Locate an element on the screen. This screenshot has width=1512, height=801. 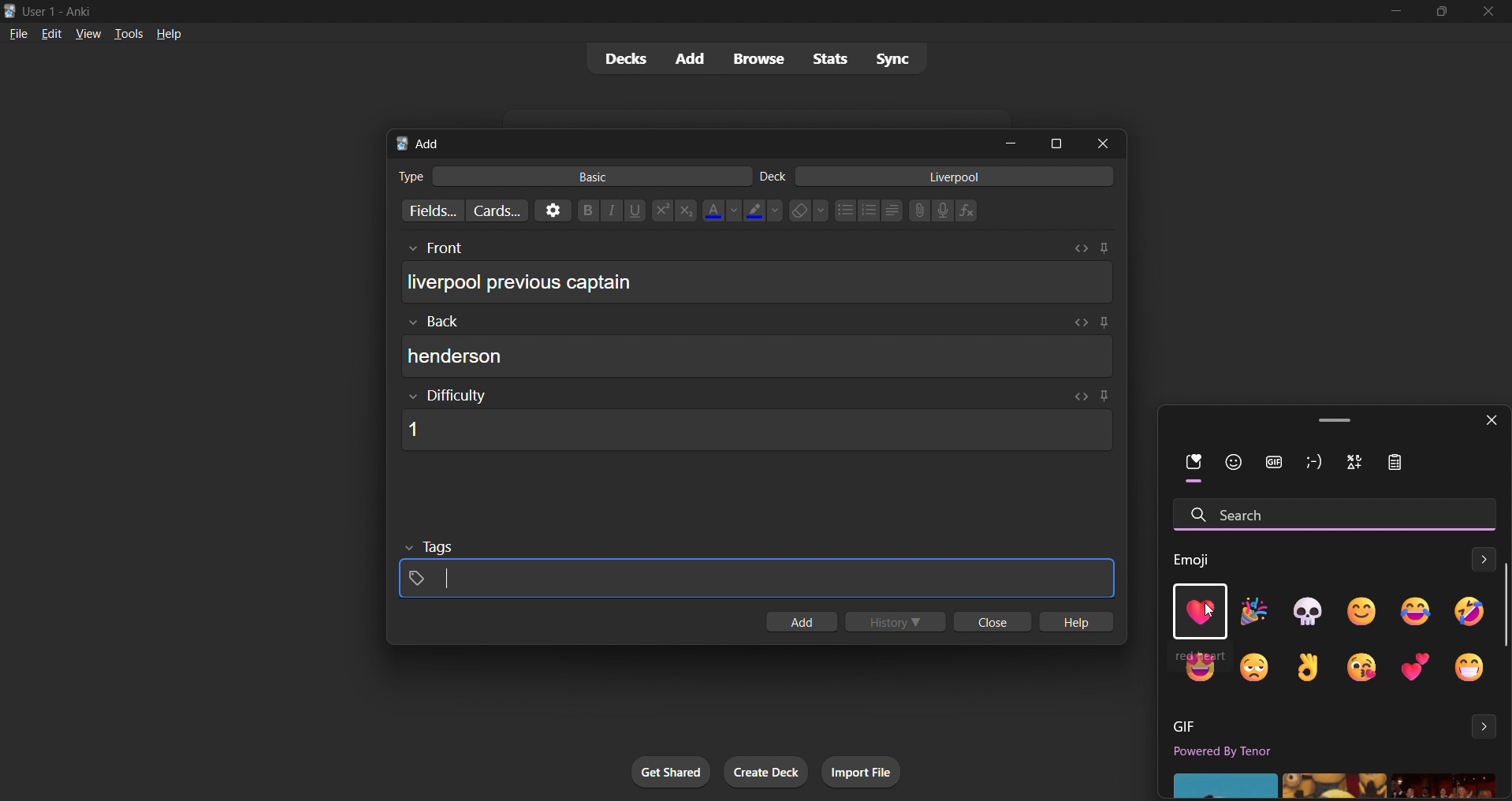
tools is located at coordinates (128, 33).